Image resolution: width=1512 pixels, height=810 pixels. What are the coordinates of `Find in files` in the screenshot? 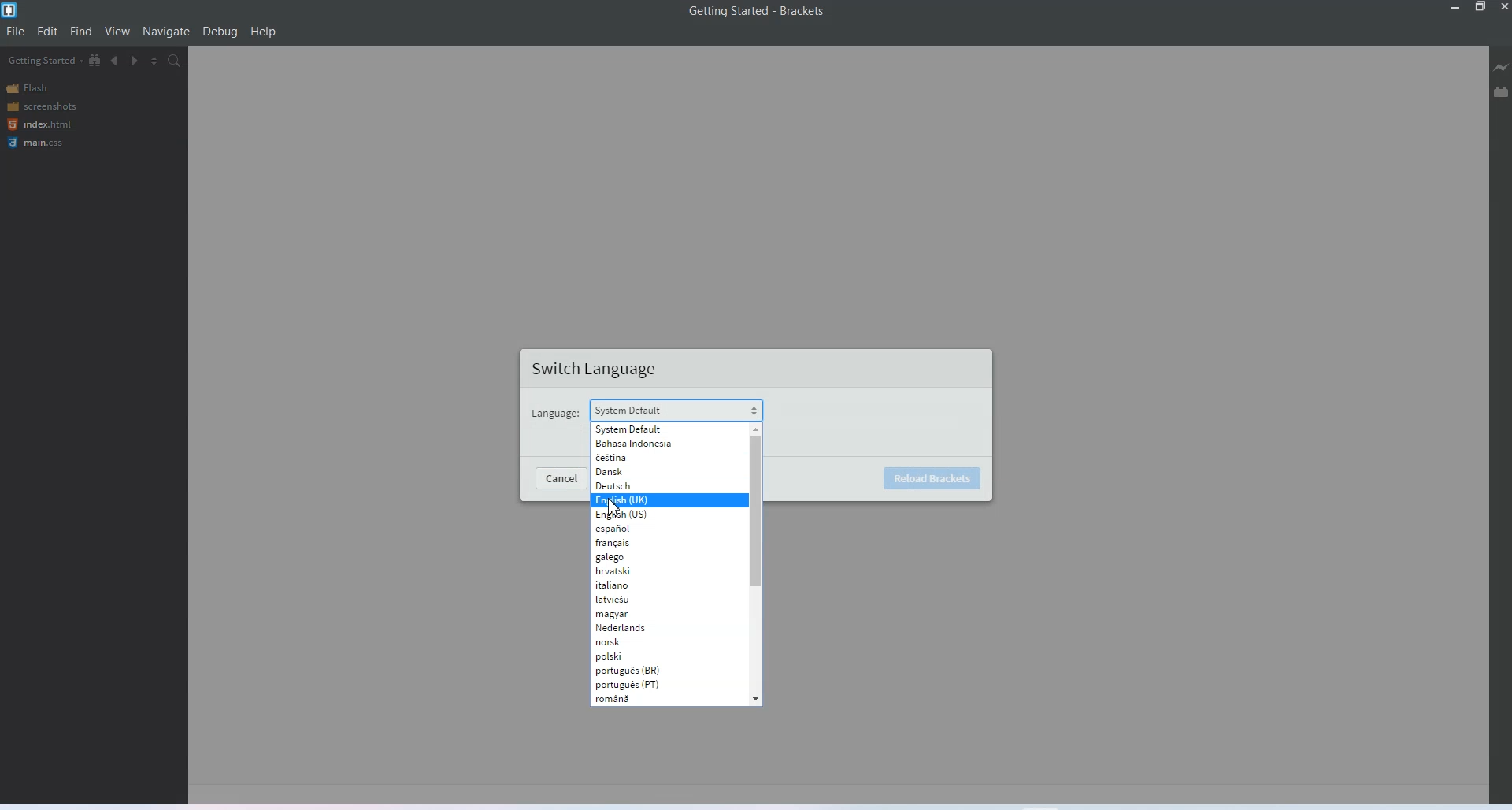 It's located at (176, 60).